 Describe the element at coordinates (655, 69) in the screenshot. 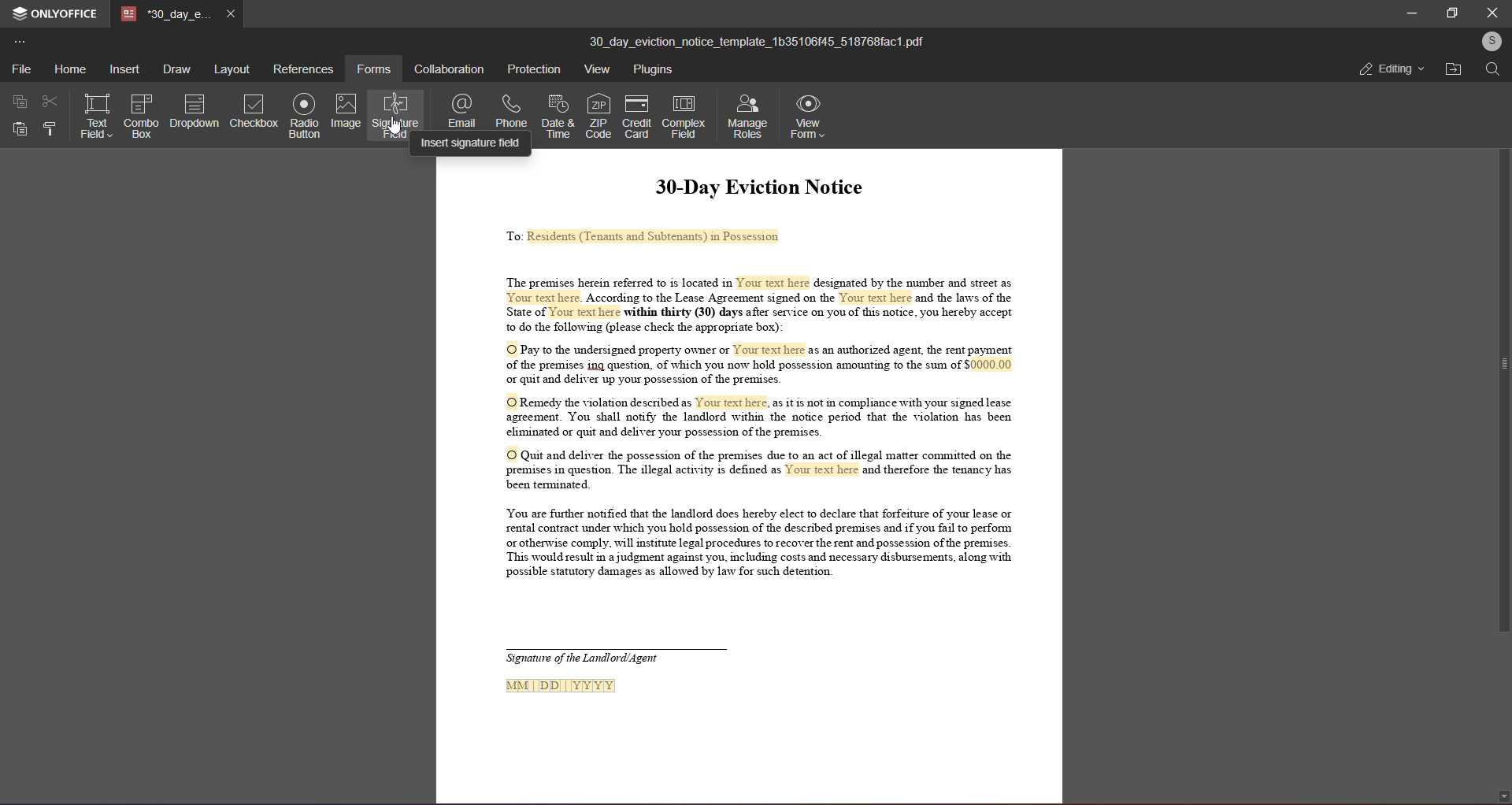

I see `plugins` at that location.